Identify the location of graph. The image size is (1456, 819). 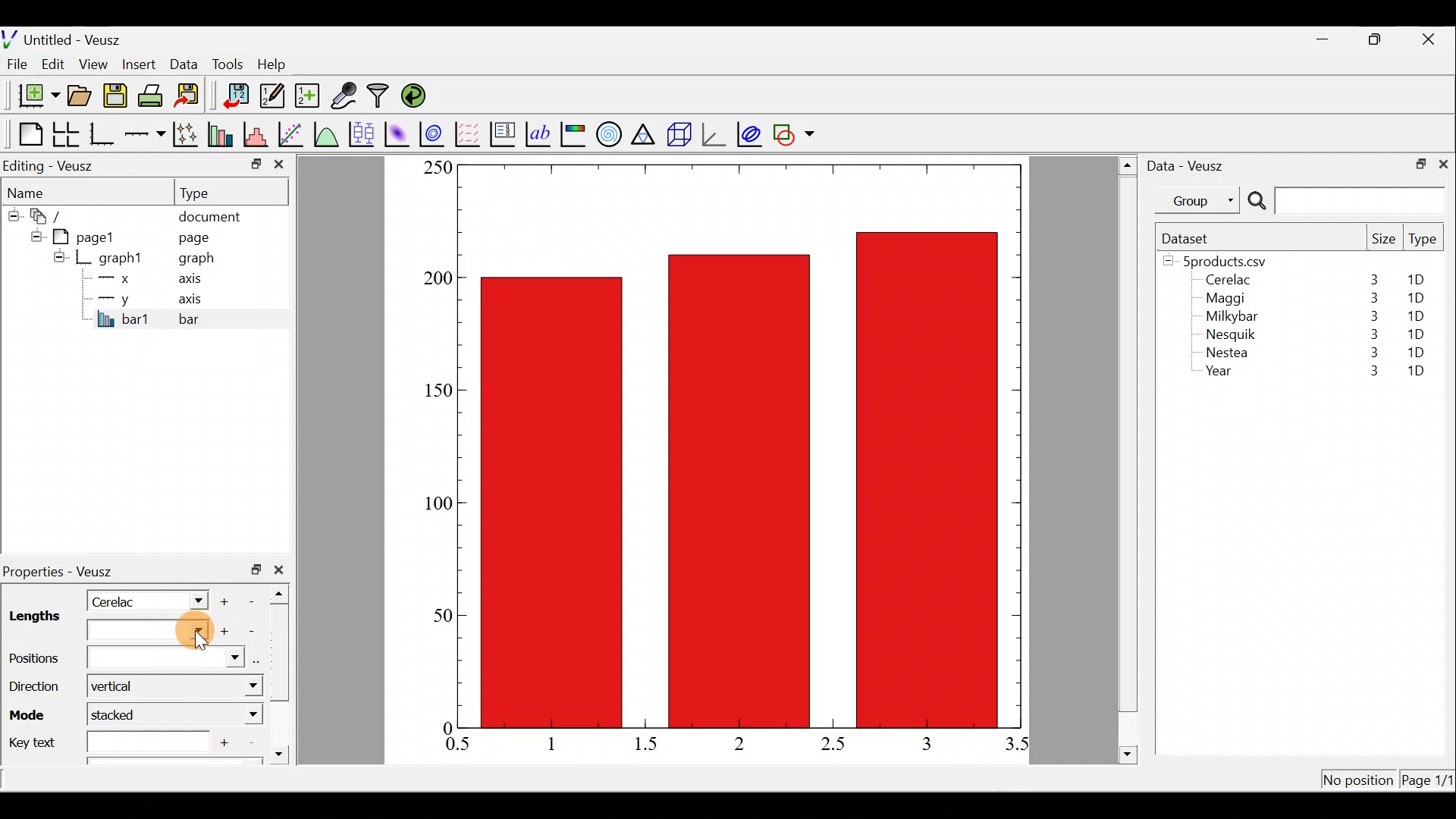
(196, 260).